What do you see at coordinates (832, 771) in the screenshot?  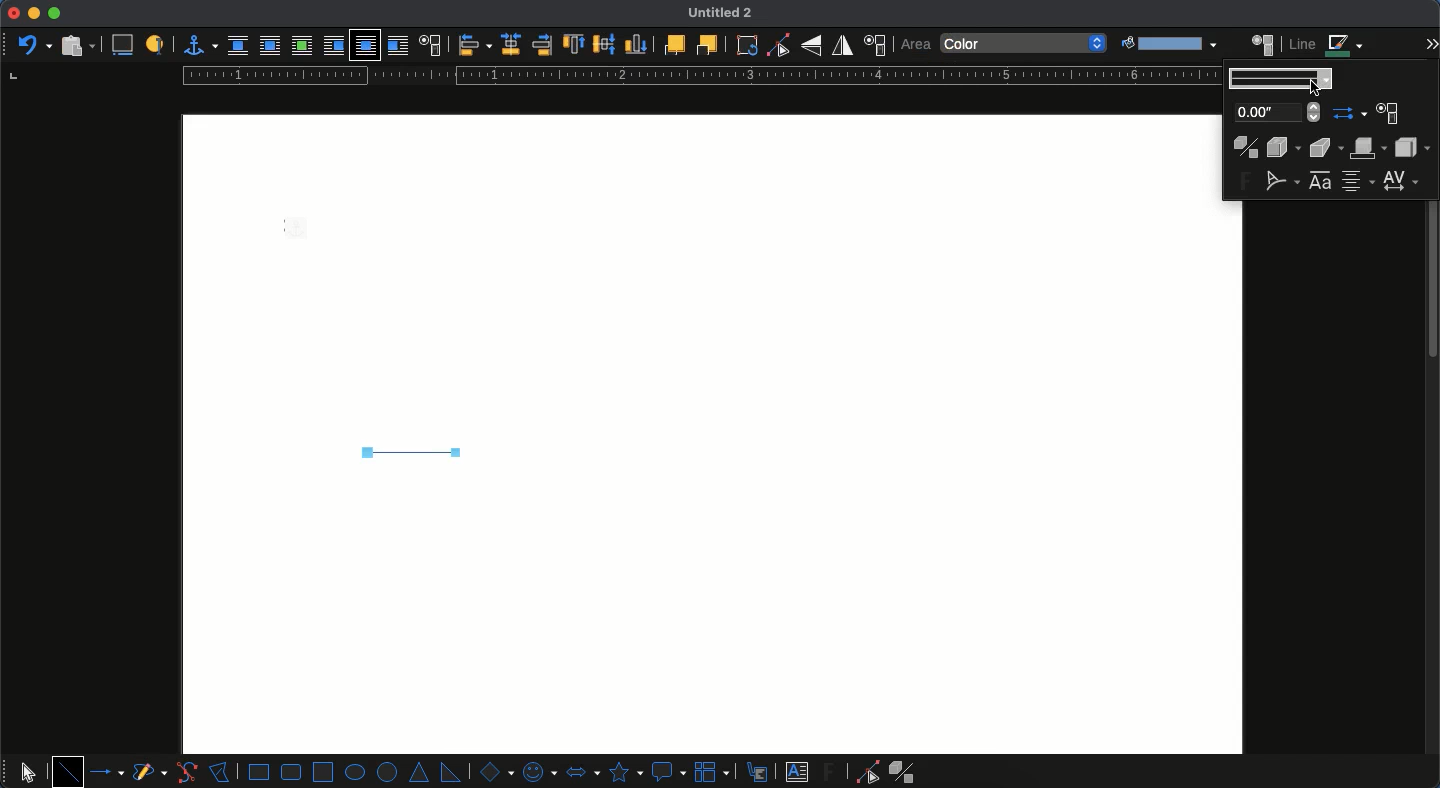 I see `footwork text` at bounding box center [832, 771].